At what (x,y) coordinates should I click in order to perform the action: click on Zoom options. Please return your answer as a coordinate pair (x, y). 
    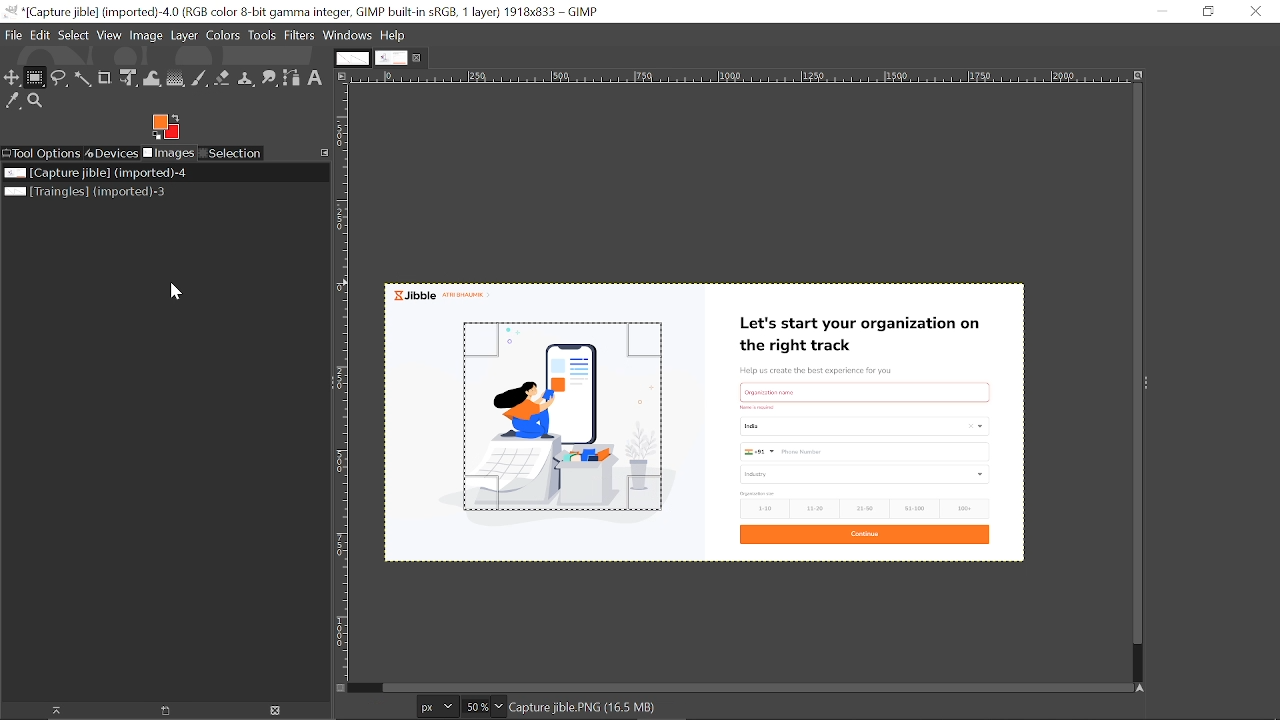
    Looking at the image, I should click on (500, 705).